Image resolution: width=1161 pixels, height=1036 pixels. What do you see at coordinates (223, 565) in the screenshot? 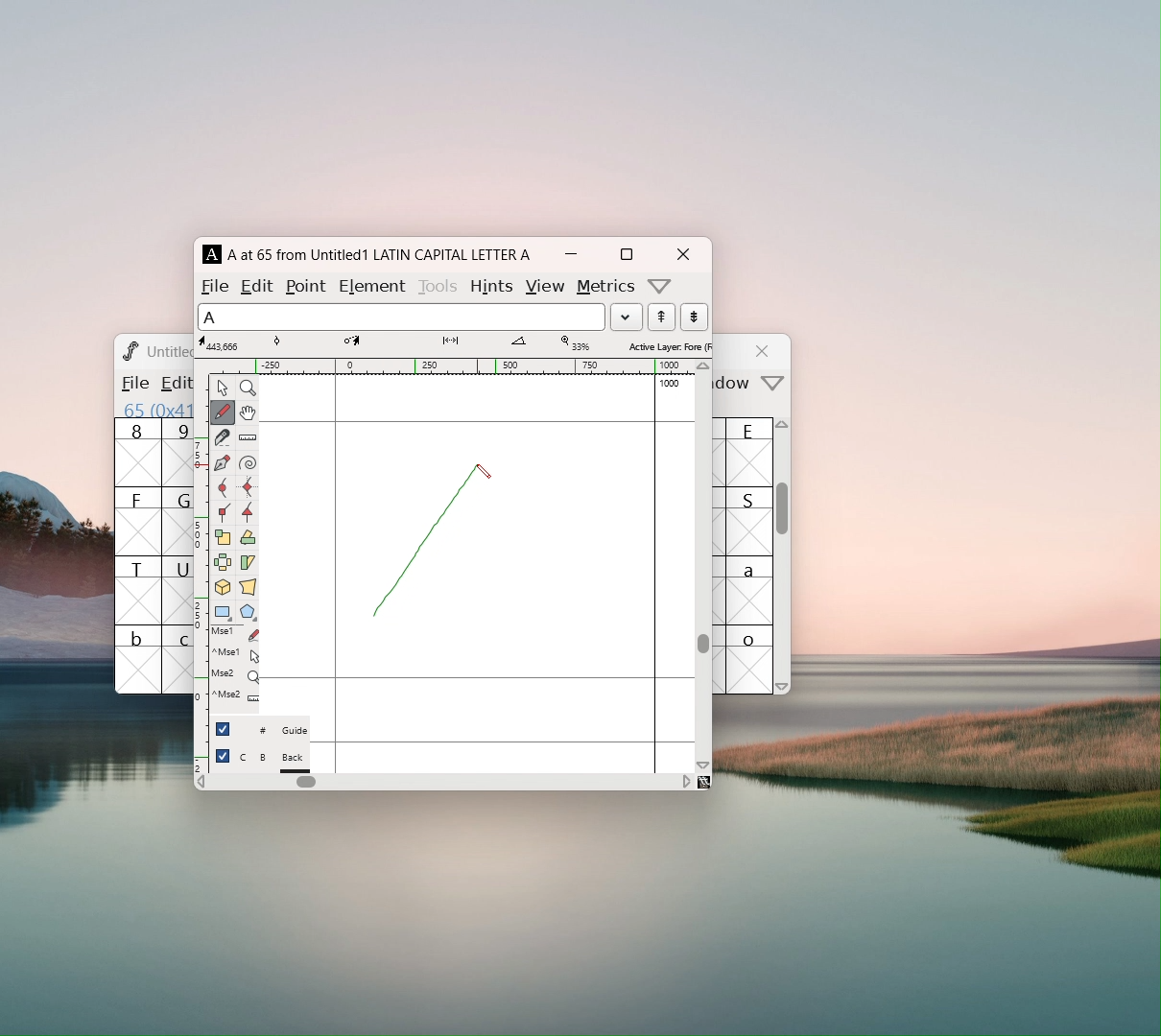
I see `flip selection` at bounding box center [223, 565].